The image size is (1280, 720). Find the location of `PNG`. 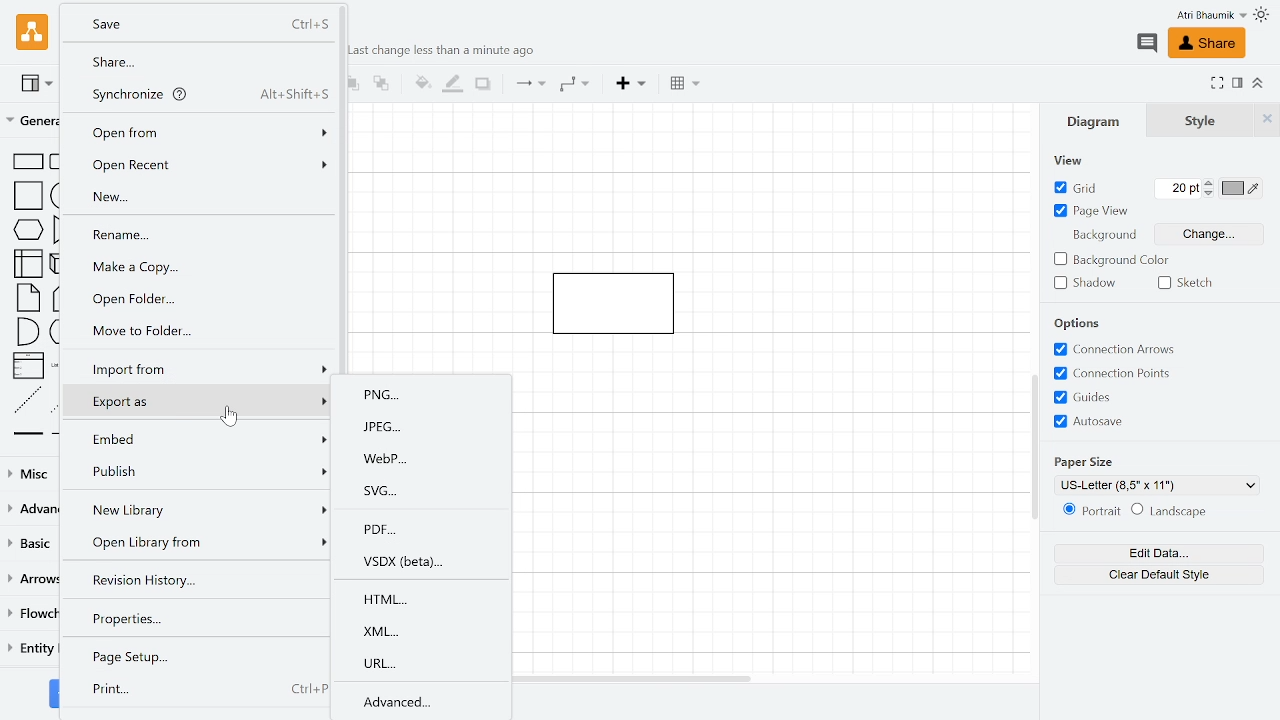

PNG is located at coordinates (425, 396).